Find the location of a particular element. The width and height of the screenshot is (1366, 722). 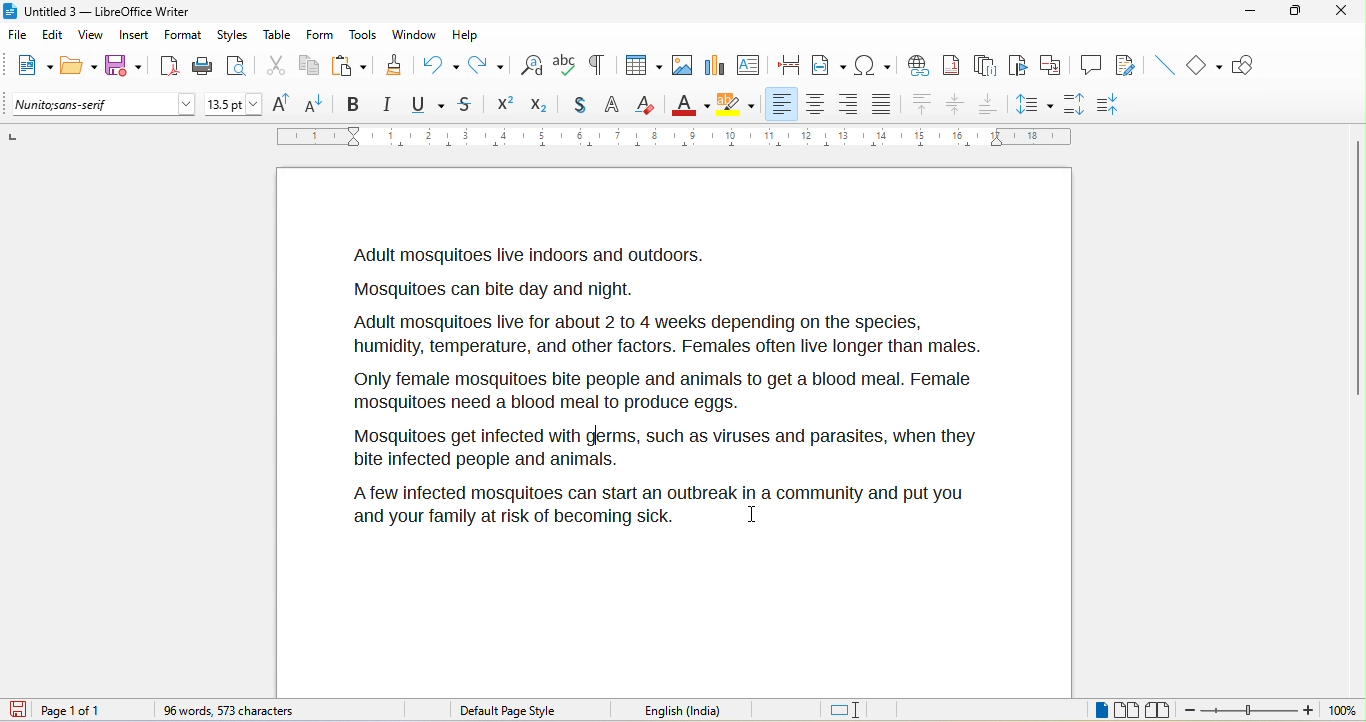

outline font effect is located at coordinates (612, 107).